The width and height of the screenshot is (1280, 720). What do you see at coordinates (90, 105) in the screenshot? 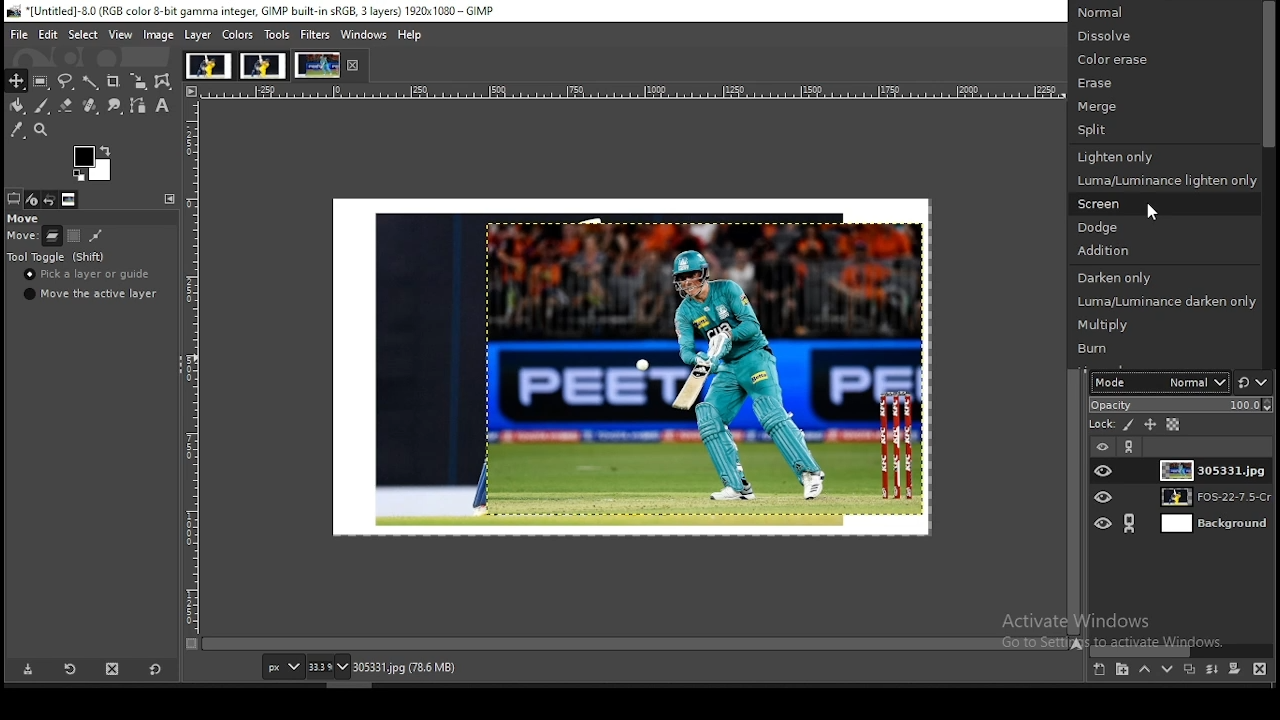
I see `heal tool` at bounding box center [90, 105].